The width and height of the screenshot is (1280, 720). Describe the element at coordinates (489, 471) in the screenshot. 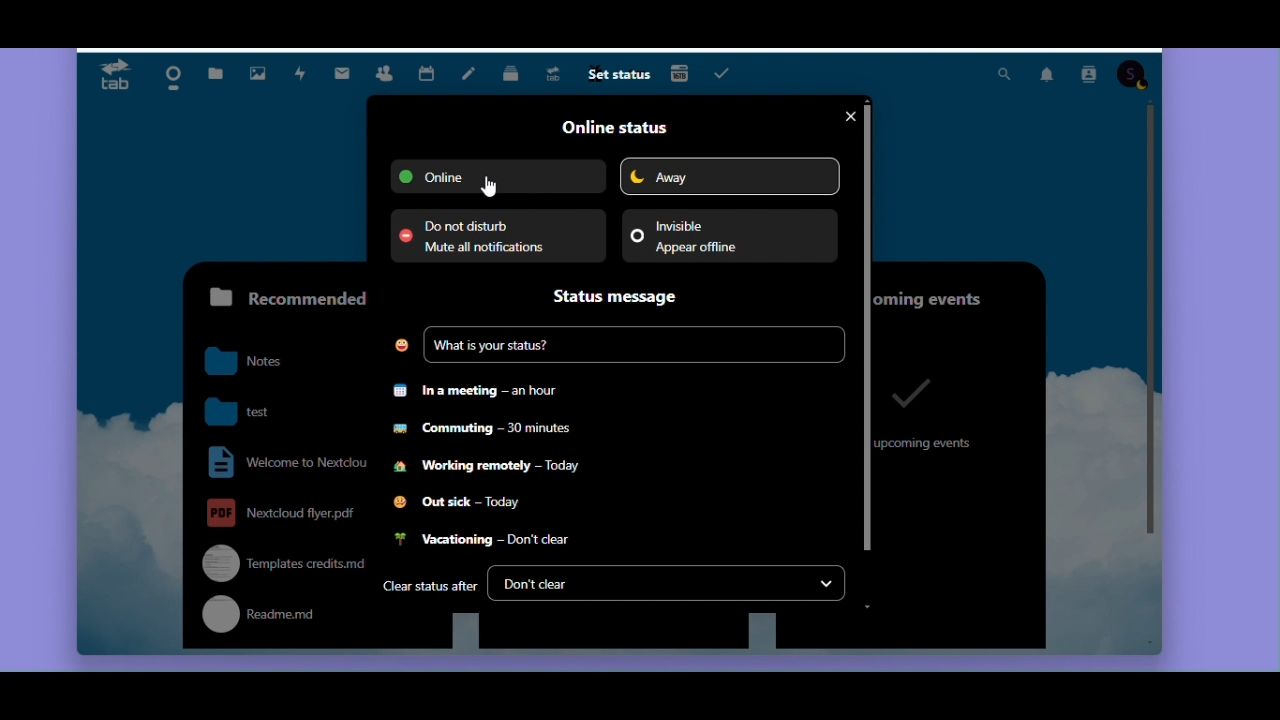

I see `Working remotely today` at that location.